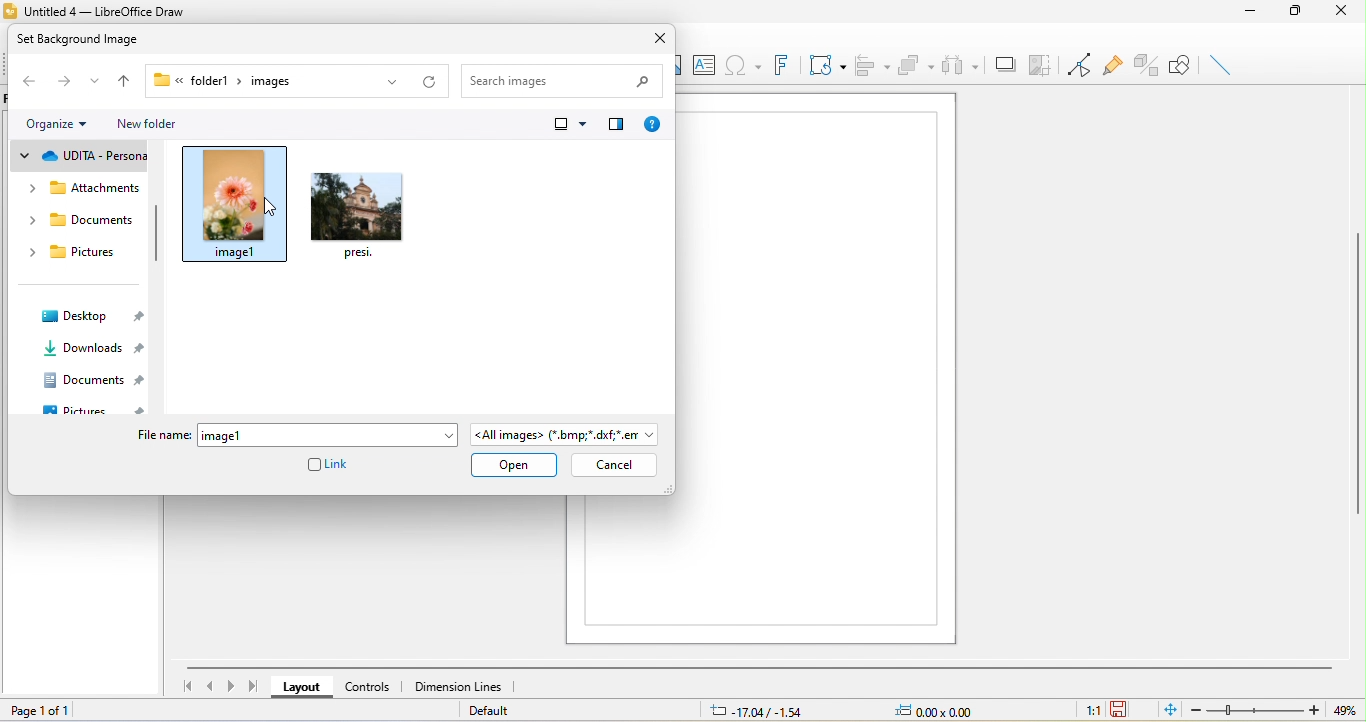 This screenshot has height=722, width=1366. I want to click on select at least three object to distribute, so click(963, 66).